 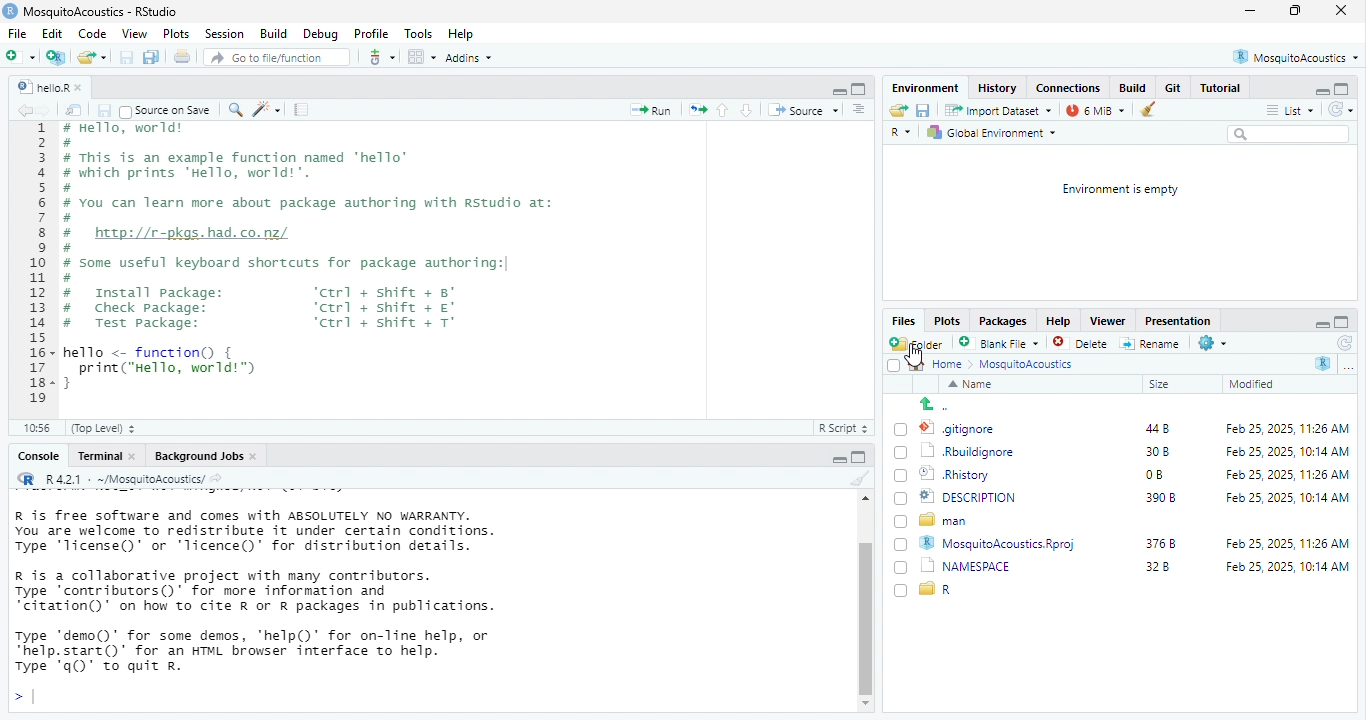 What do you see at coordinates (25, 479) in the screenshot?
I see `r studio logo` at bounding box center [25, 479].